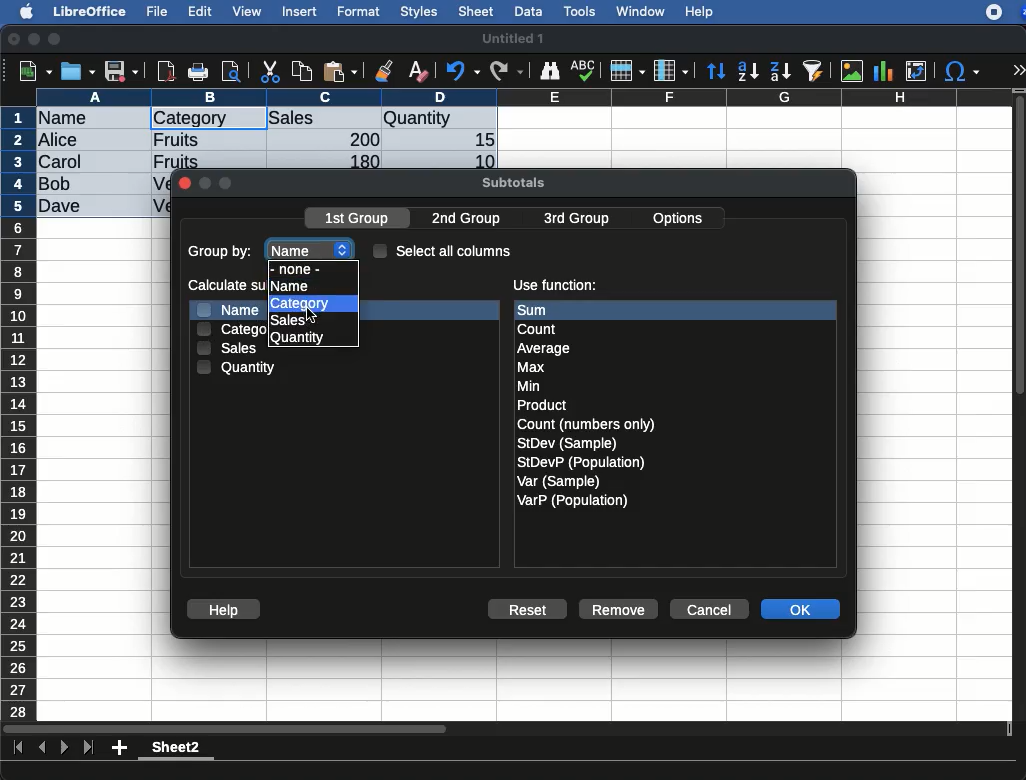 The image size is (1026, 780). Describe the element at coordinates (1005, 12) in the screenshot. I see `extensions` at that location.